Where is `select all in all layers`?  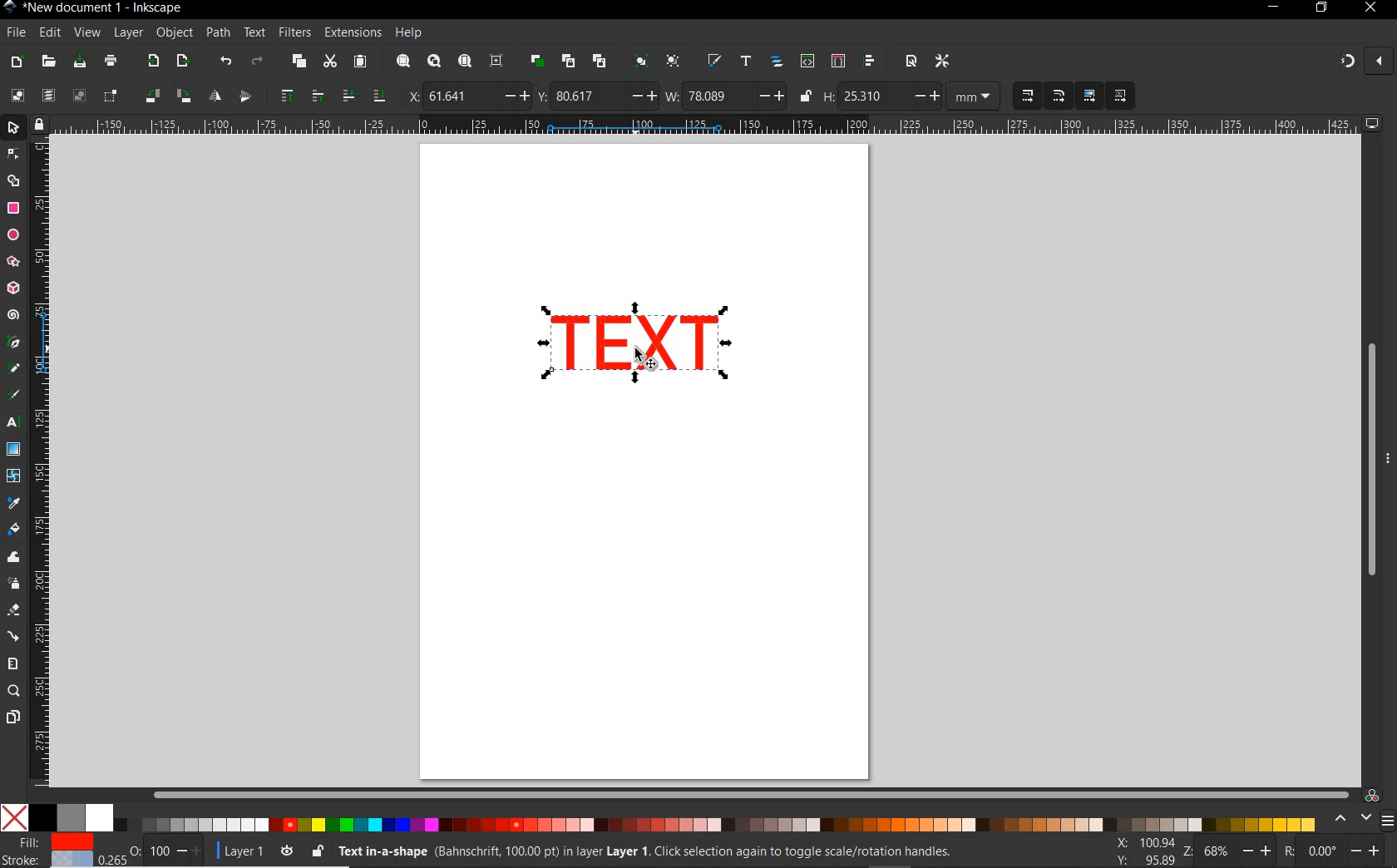
select all in all layers is located at coordinates (48, 96).